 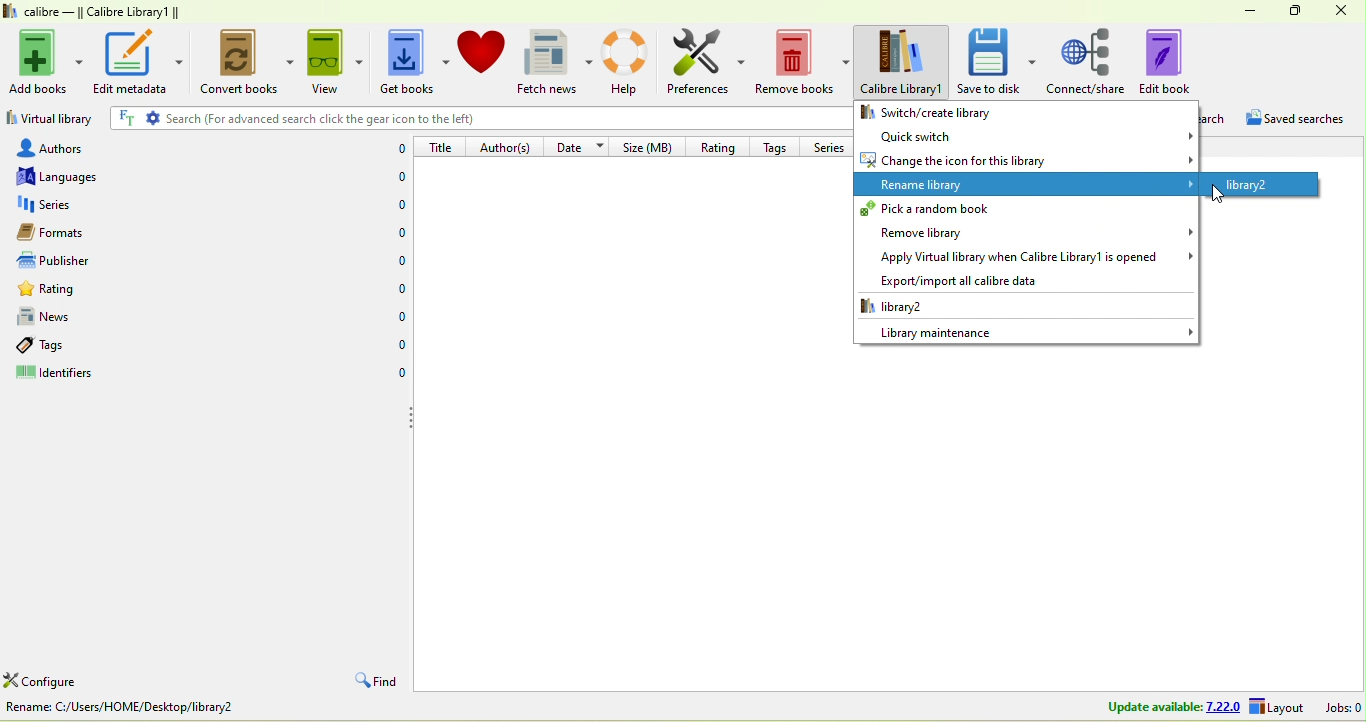 I want to click on 0, so click(x=397, y=375).